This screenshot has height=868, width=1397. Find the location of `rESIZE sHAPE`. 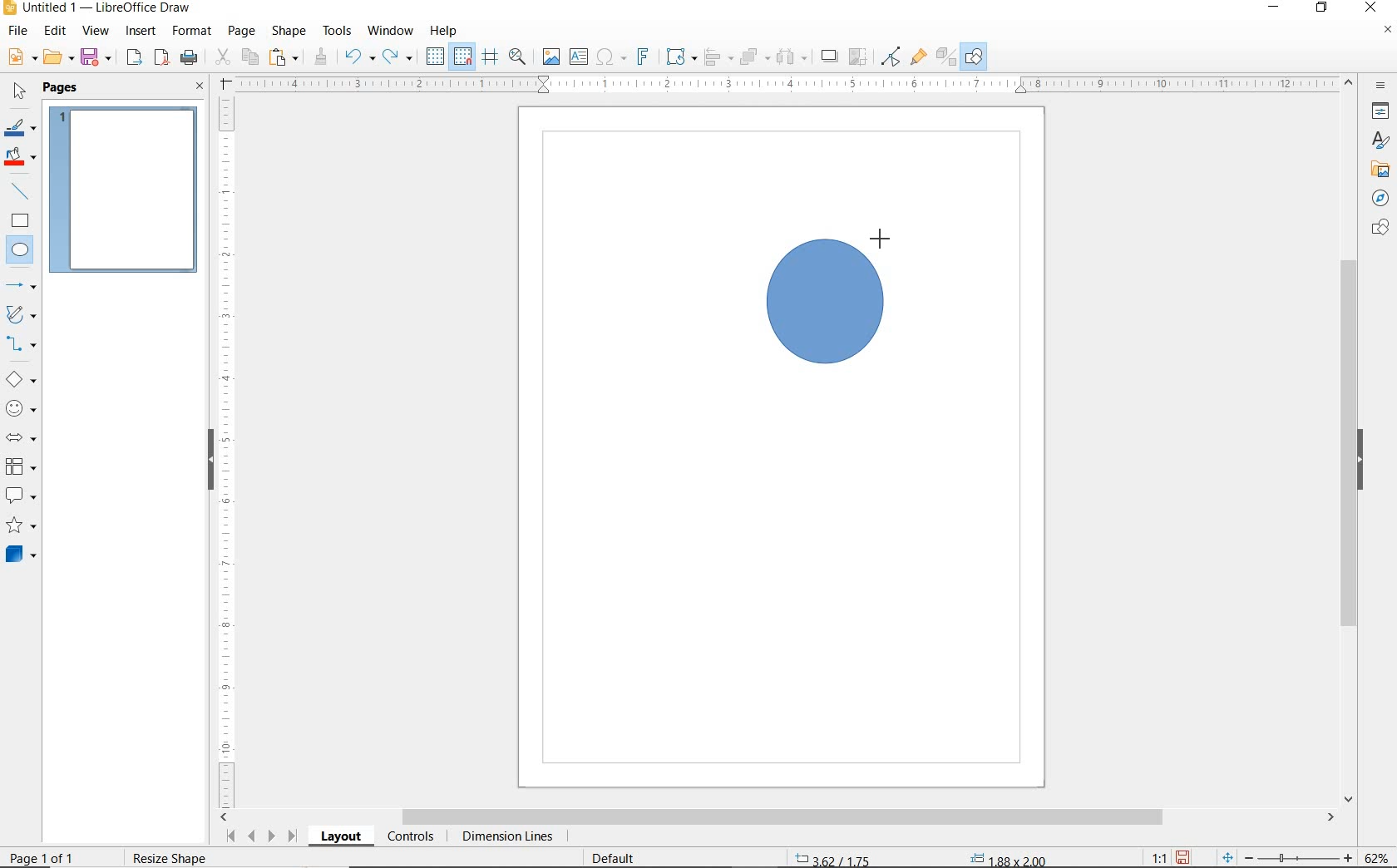

rESIZE sHAPE is located at coordinates (168, 857).